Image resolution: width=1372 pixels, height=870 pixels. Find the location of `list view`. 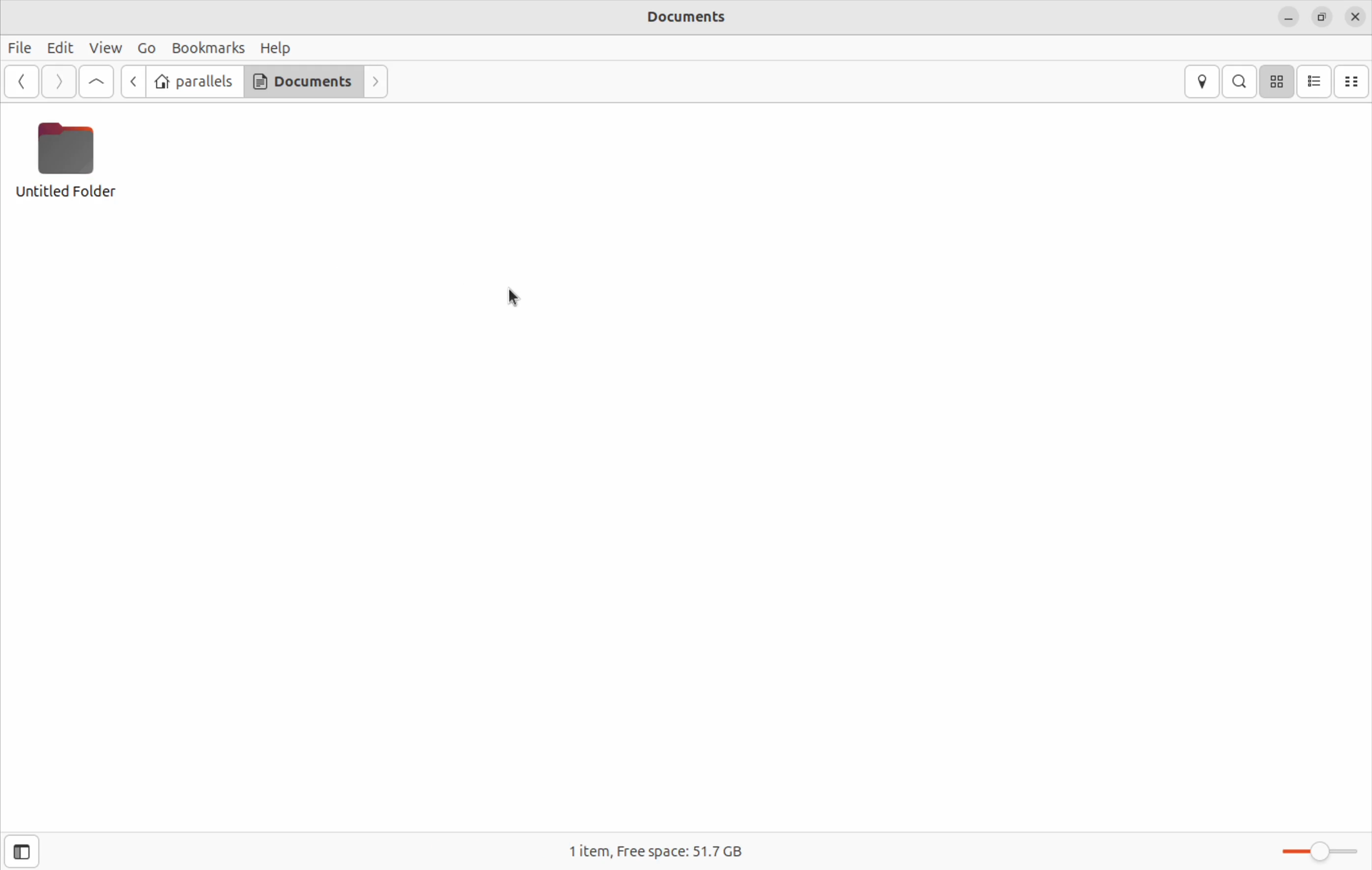

list view is located at coordinates (1317, 80).